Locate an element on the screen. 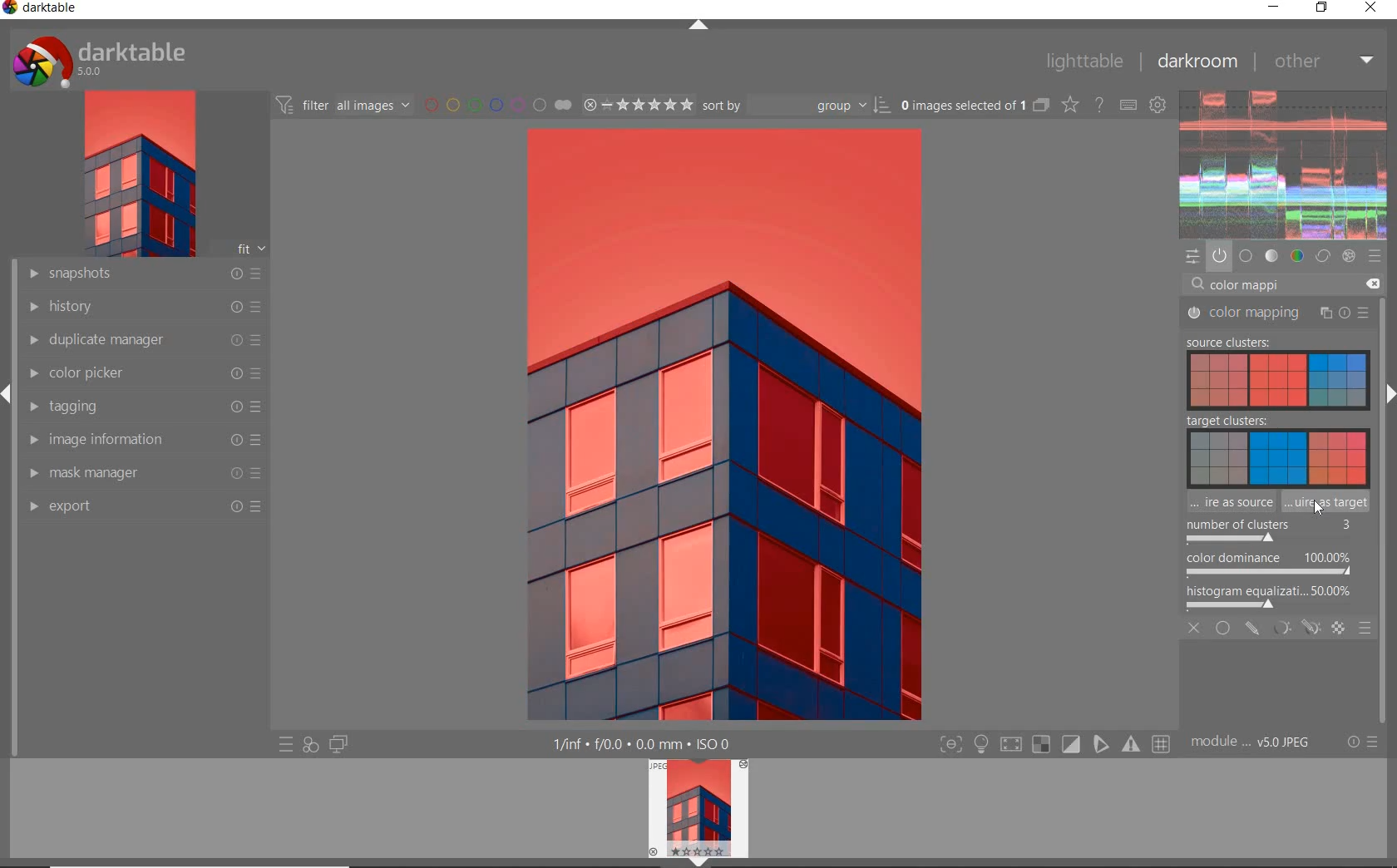  MASKING OPTIONS is located at coordinates (1293, 629).